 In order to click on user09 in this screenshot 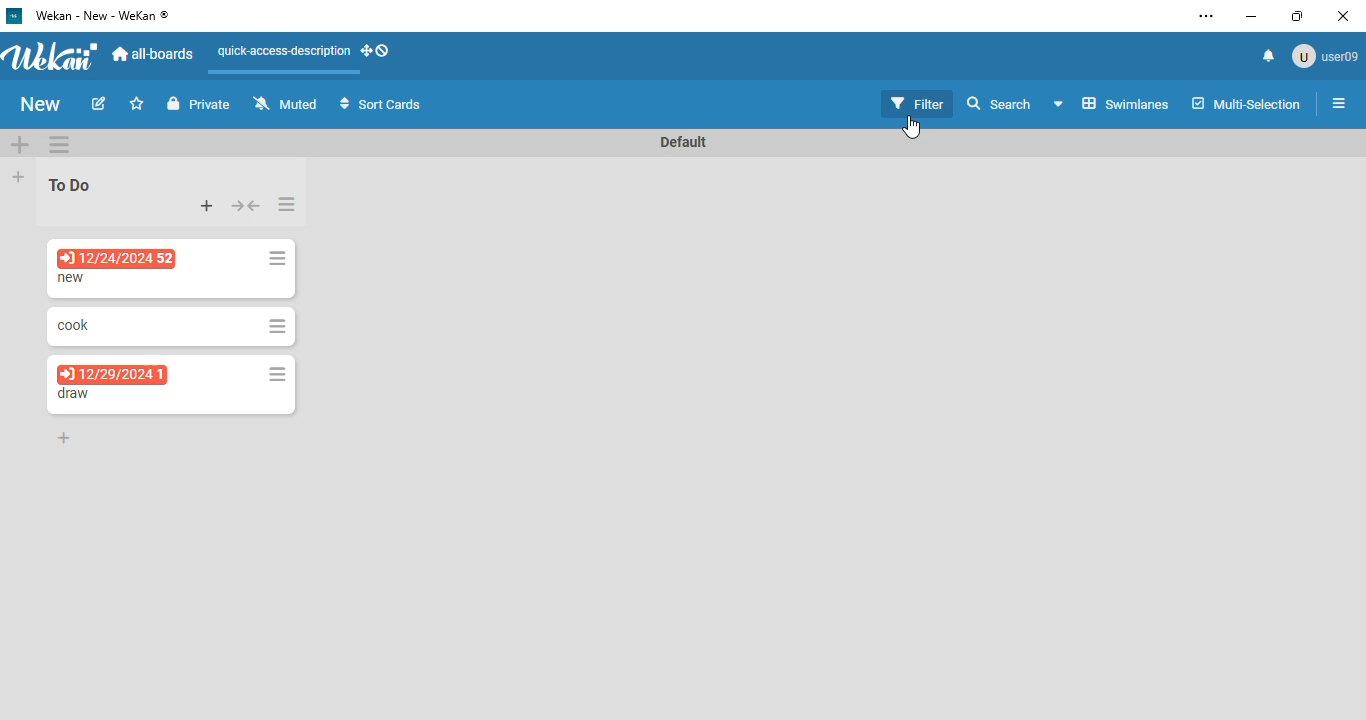, I will do `click(1324, 56)`.